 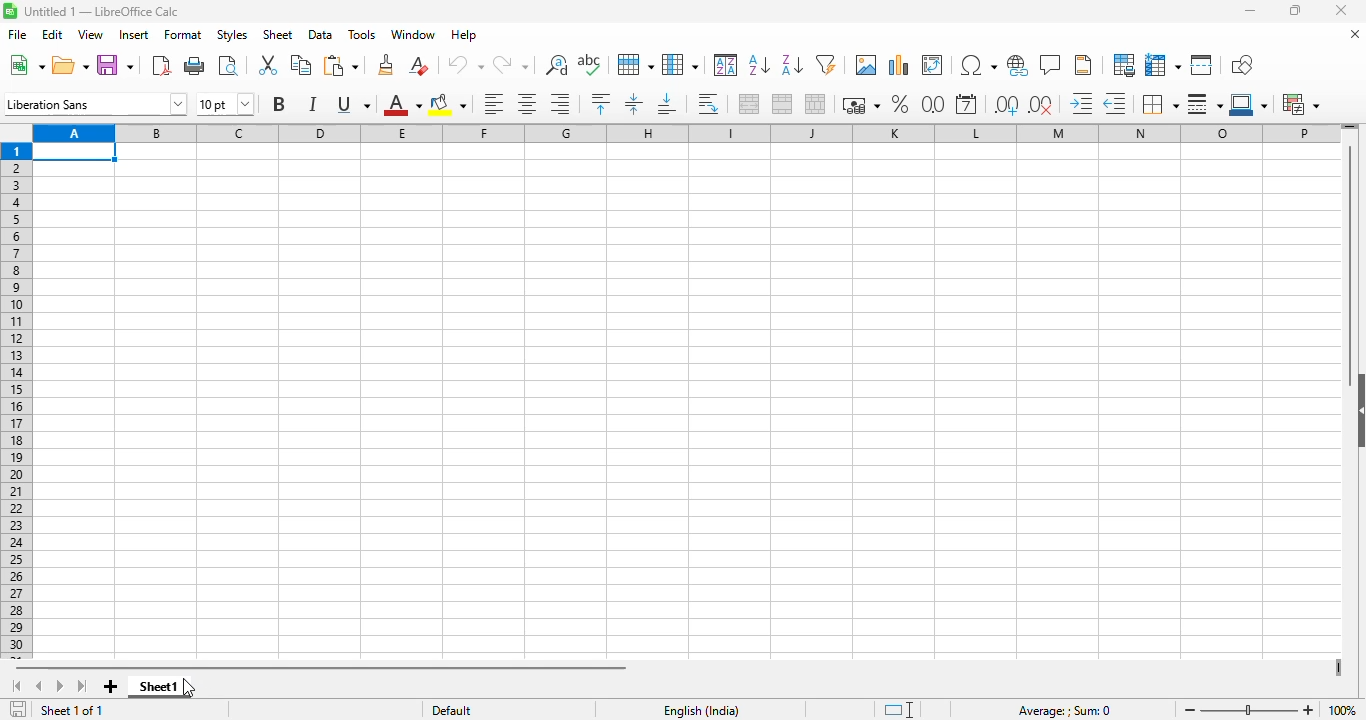 What do you see at coordinates (464, 35) in the screenshot?
I see `help` at bounding box center [464, 35].